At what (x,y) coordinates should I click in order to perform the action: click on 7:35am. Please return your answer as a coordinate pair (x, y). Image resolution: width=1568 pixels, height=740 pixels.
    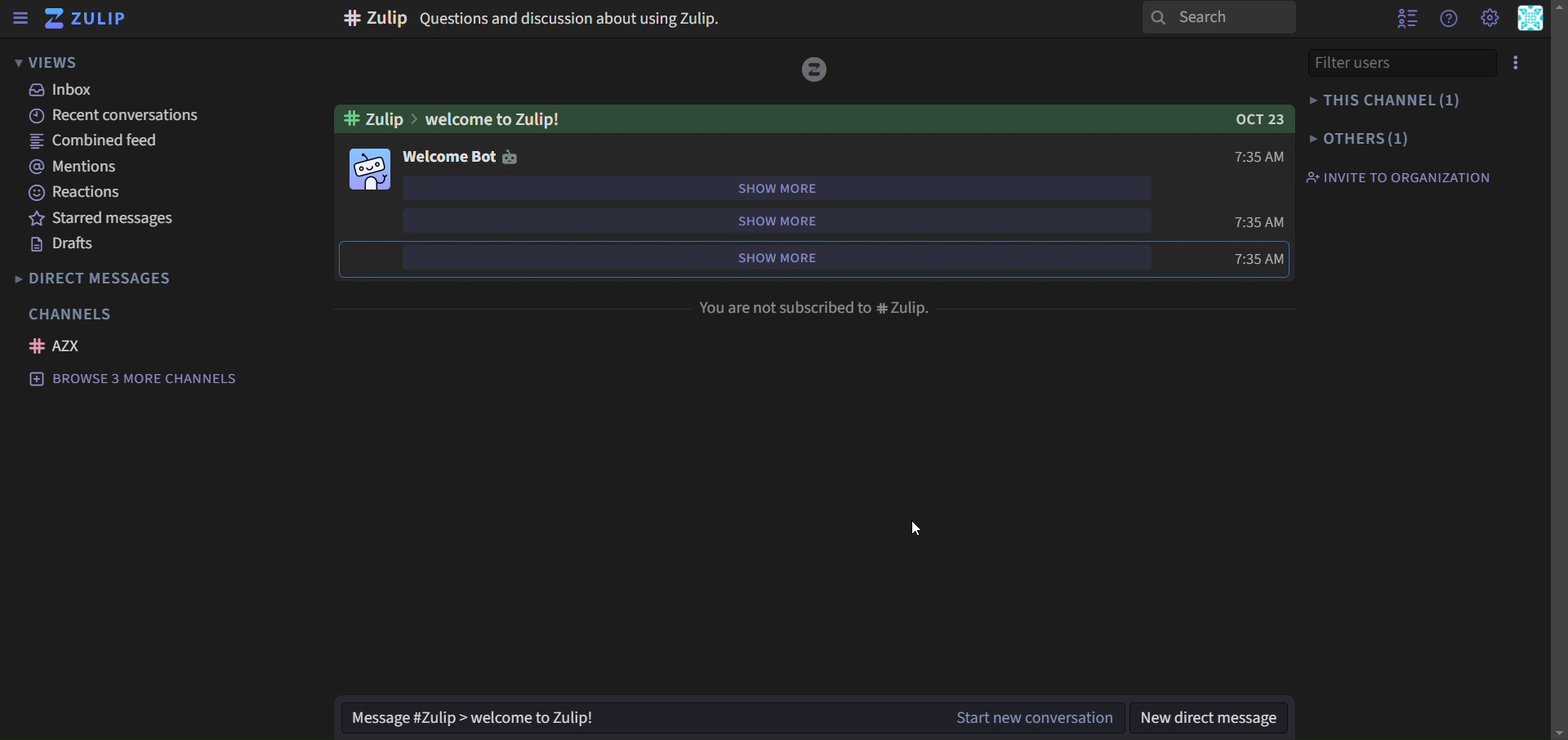
    Looking at the image, I should click on (1241, 156).